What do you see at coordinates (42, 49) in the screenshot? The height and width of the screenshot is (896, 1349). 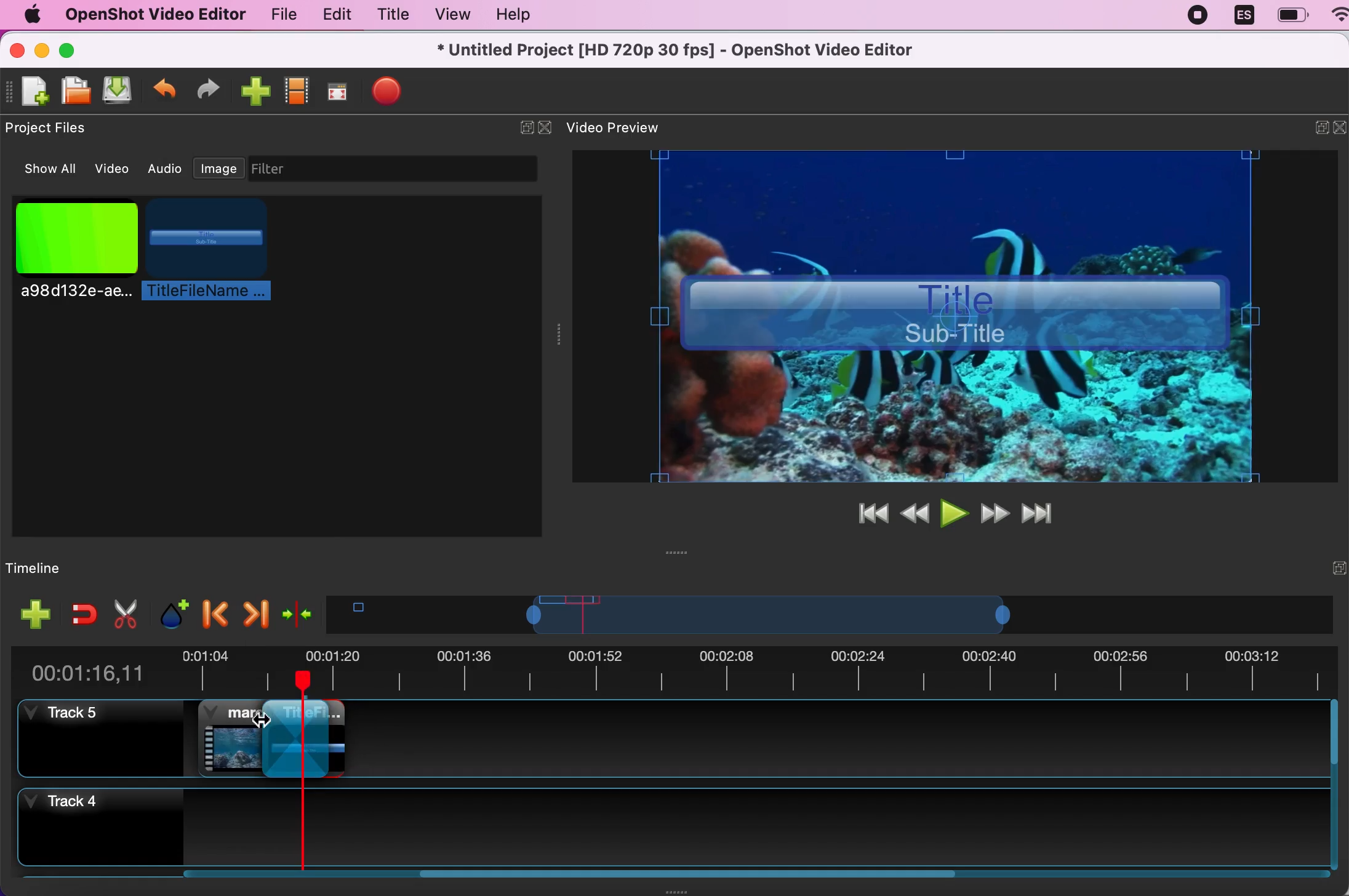 I see `minimize` at bounding box center [42, 49].